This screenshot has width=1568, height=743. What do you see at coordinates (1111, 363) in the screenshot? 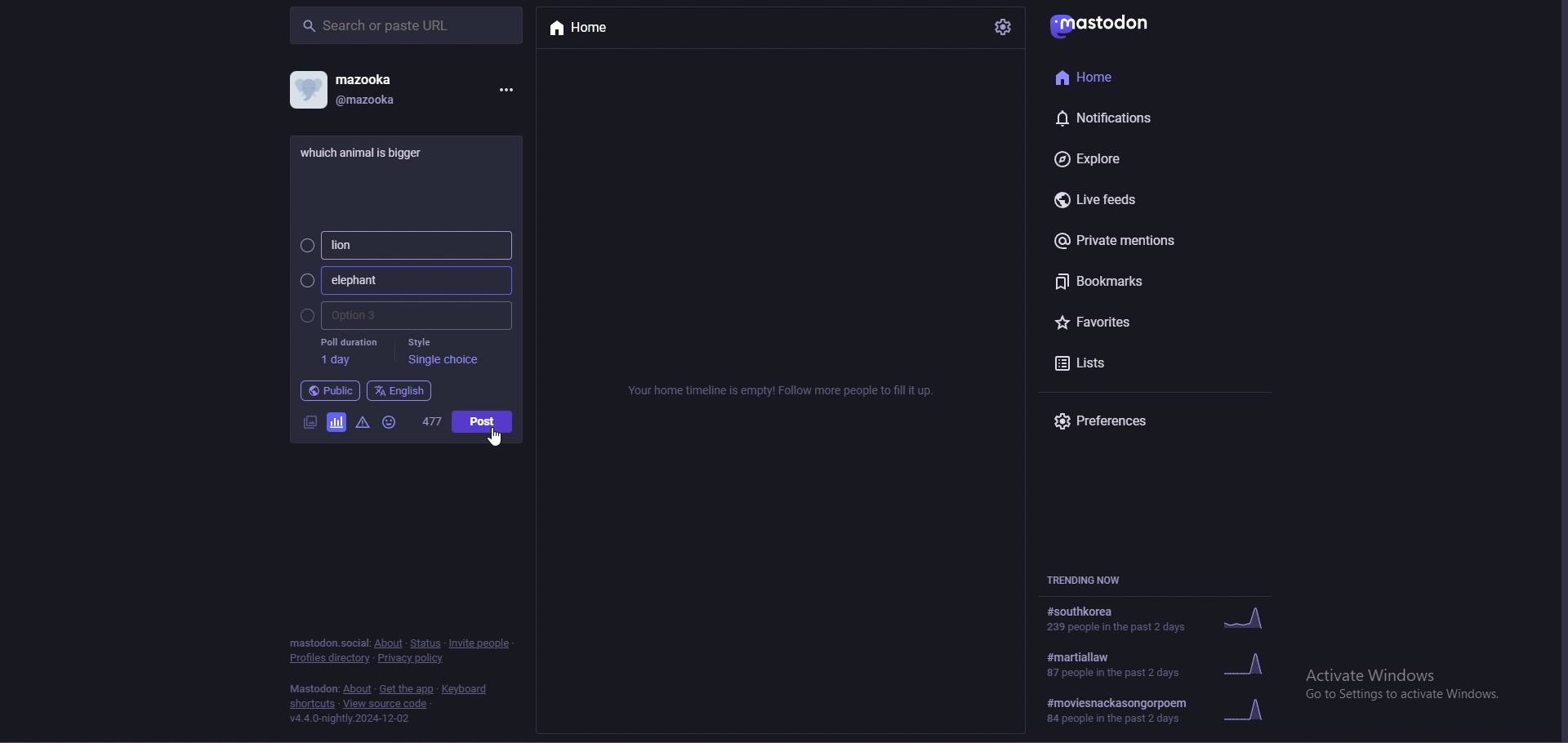
I see `lists` at bounding box center [1111, 363].